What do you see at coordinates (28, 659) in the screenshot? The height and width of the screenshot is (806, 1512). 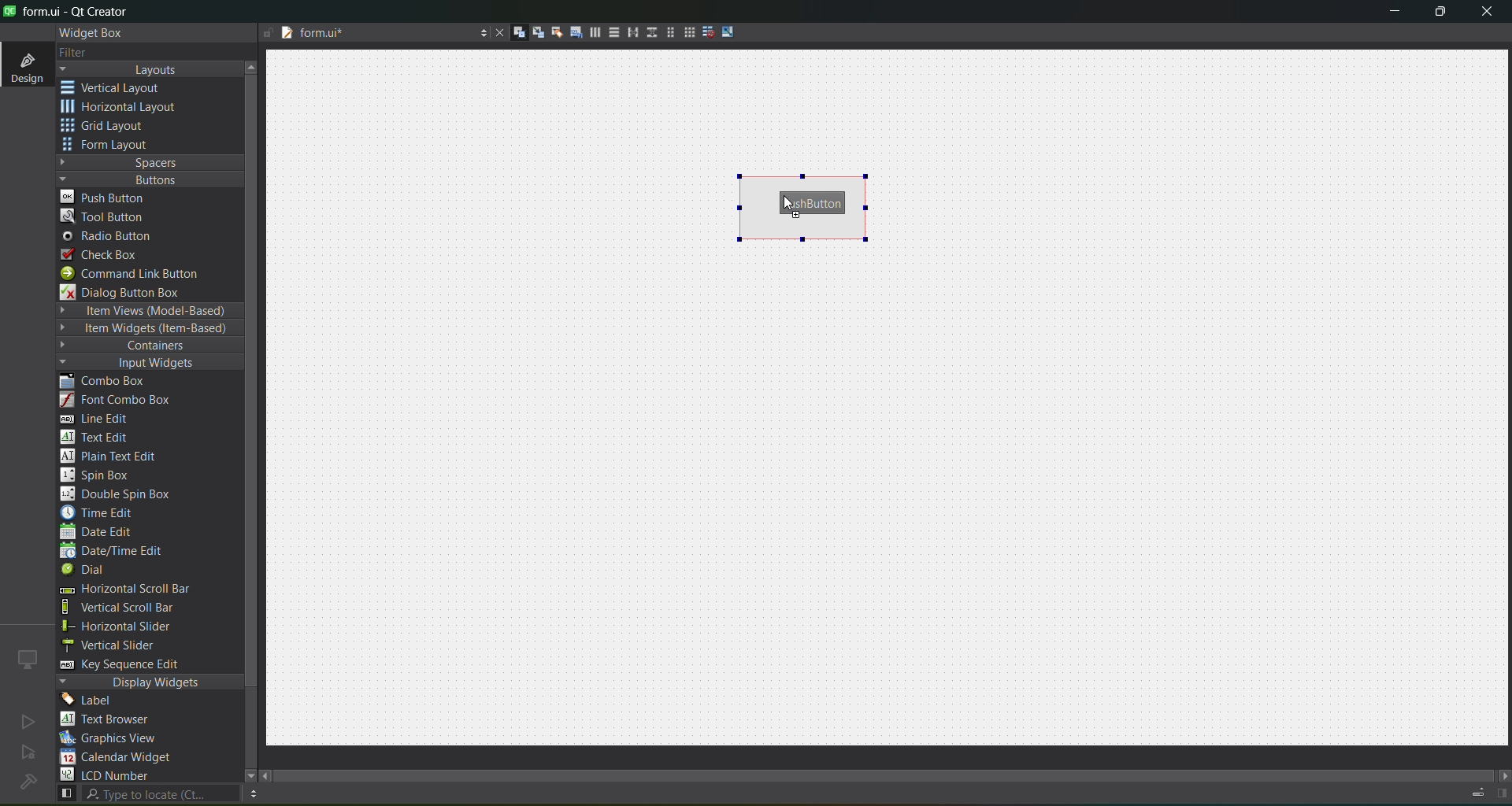 I see `icon` at bounding box center [28, 659].